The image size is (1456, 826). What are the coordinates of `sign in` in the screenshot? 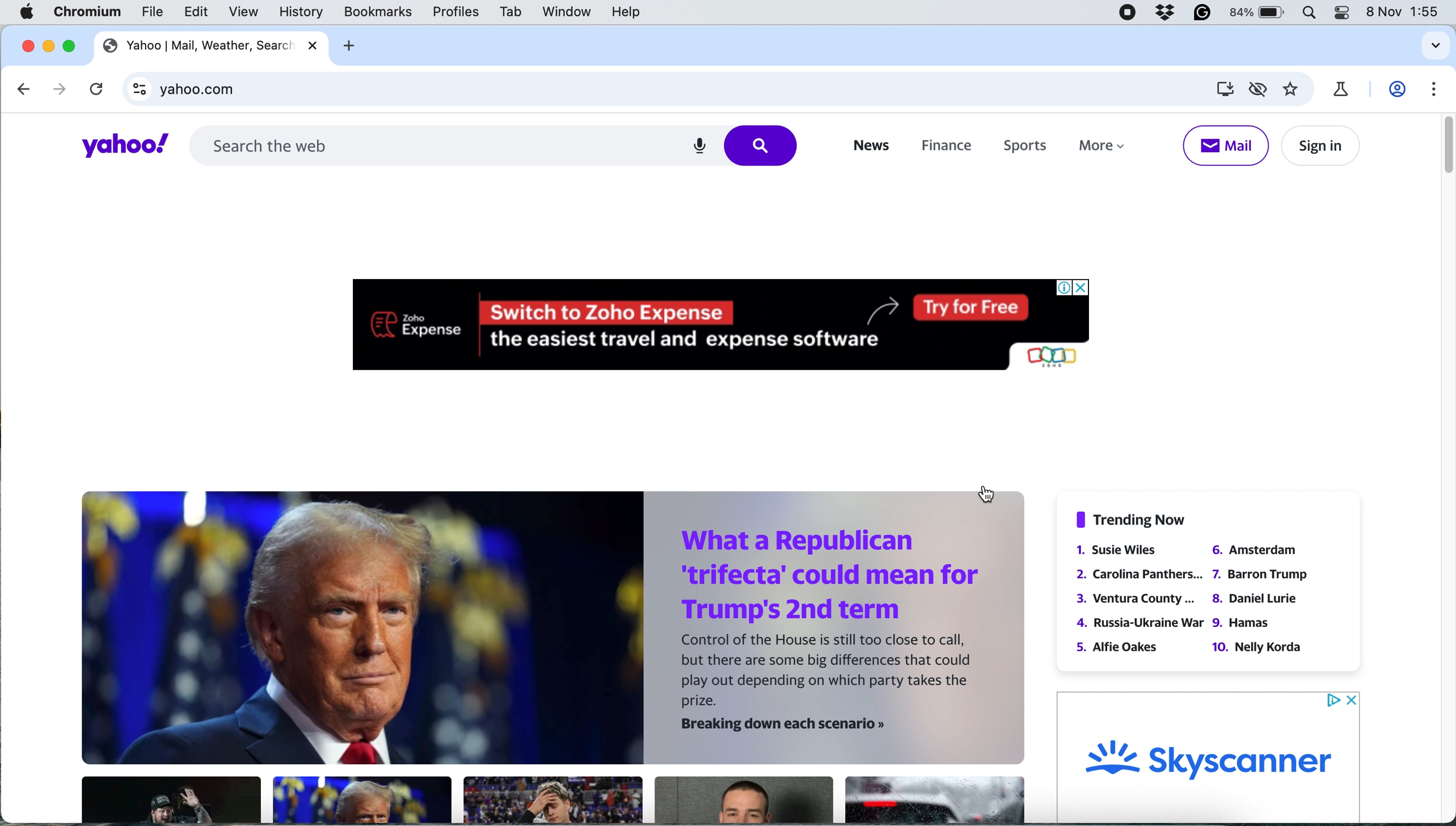 It's located at (1319, 145).